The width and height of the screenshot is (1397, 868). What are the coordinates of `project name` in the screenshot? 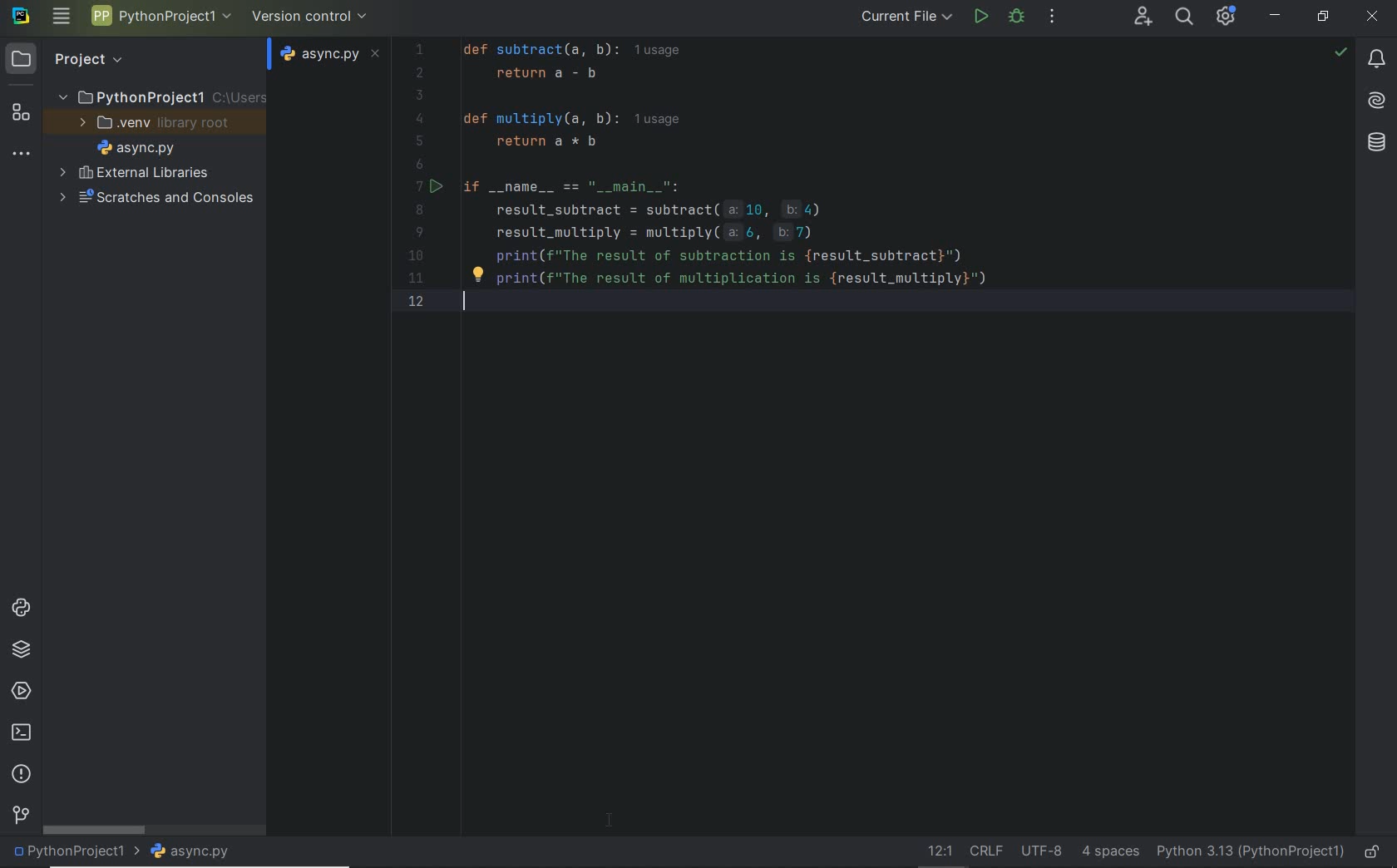 It's located at (162, 16).